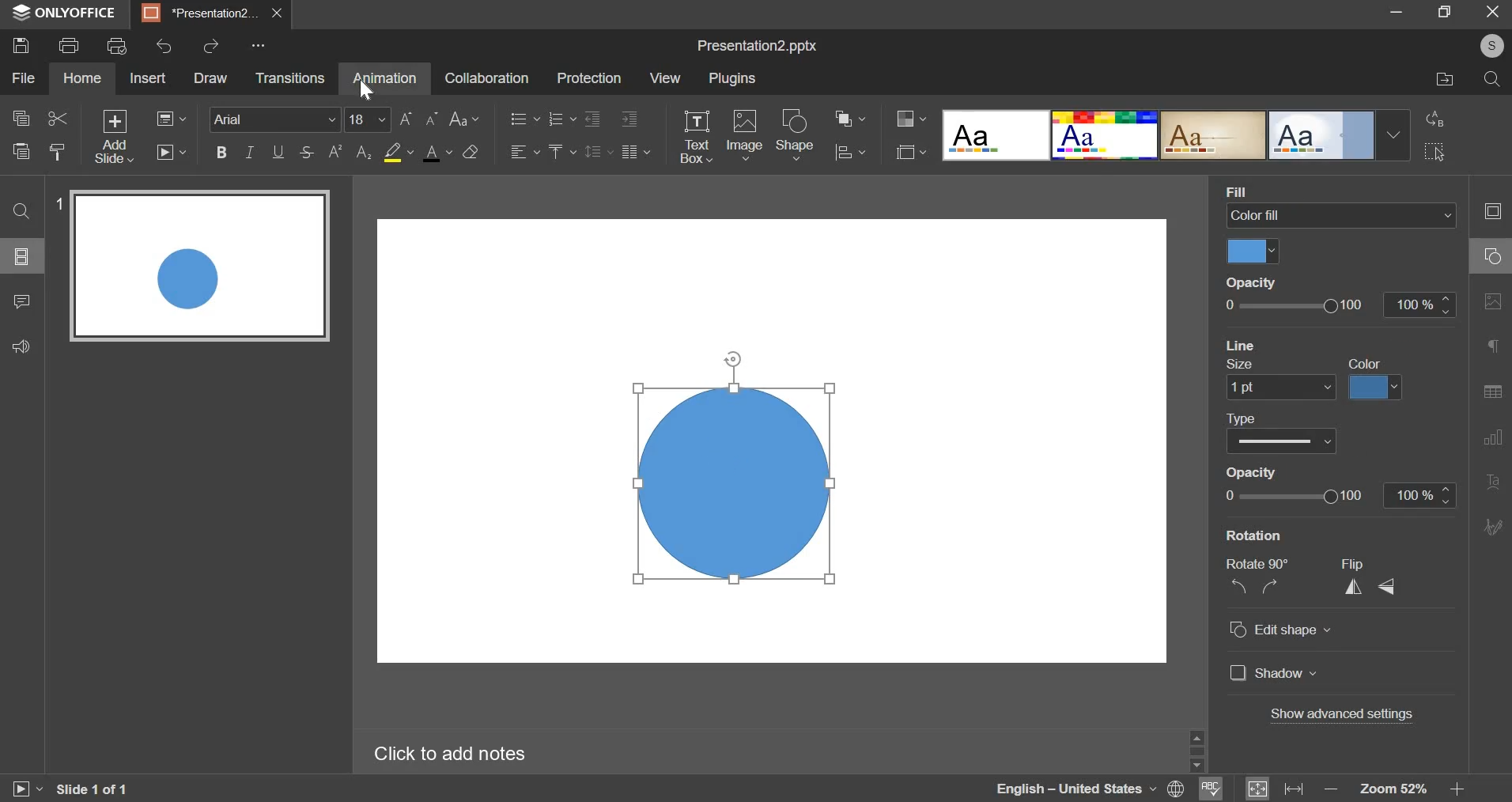 This screenshot has height=802, width=1512. I want to click on image, so click(744, 136).